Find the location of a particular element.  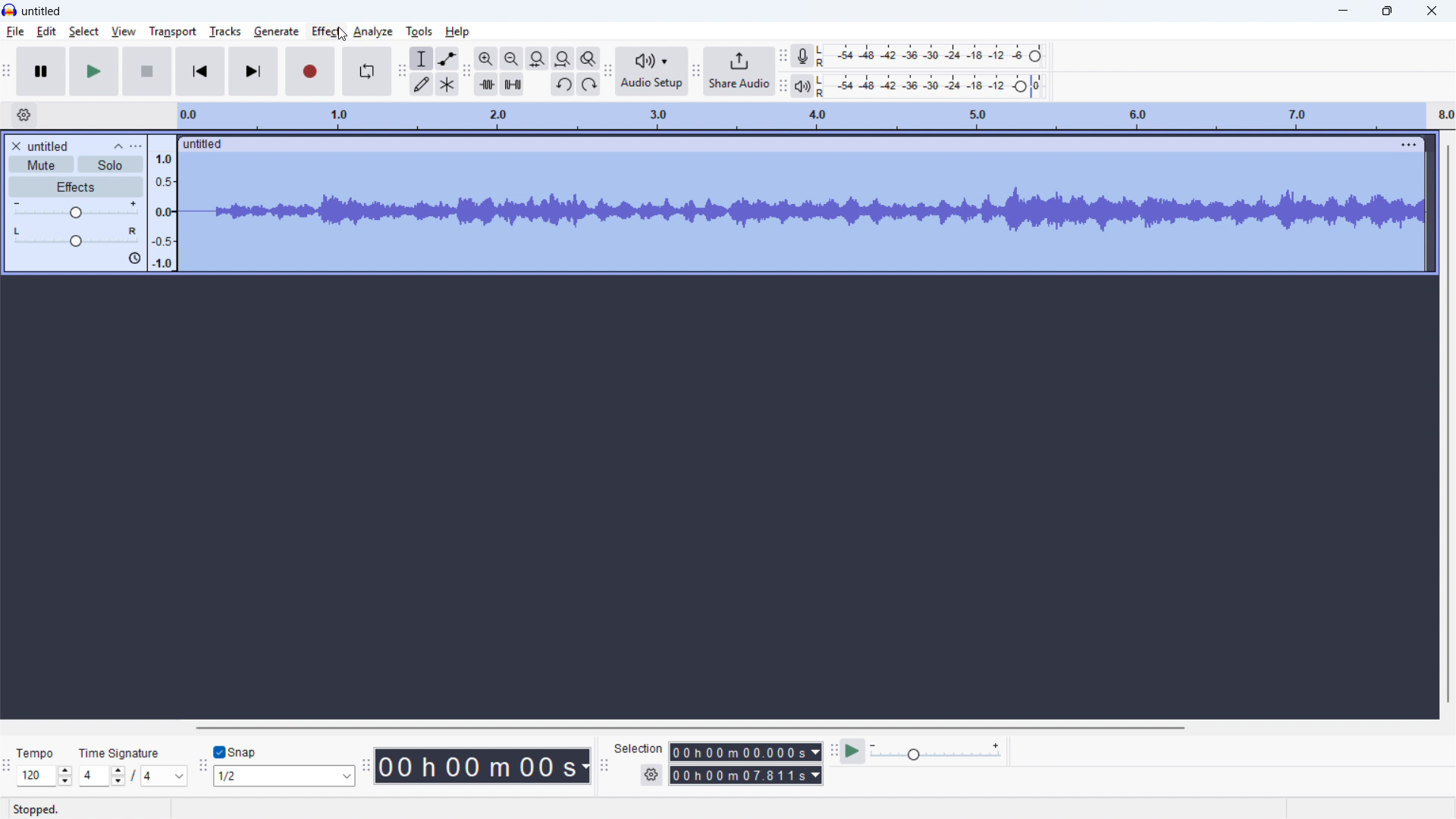

mute is located at coordinates (42, 165).